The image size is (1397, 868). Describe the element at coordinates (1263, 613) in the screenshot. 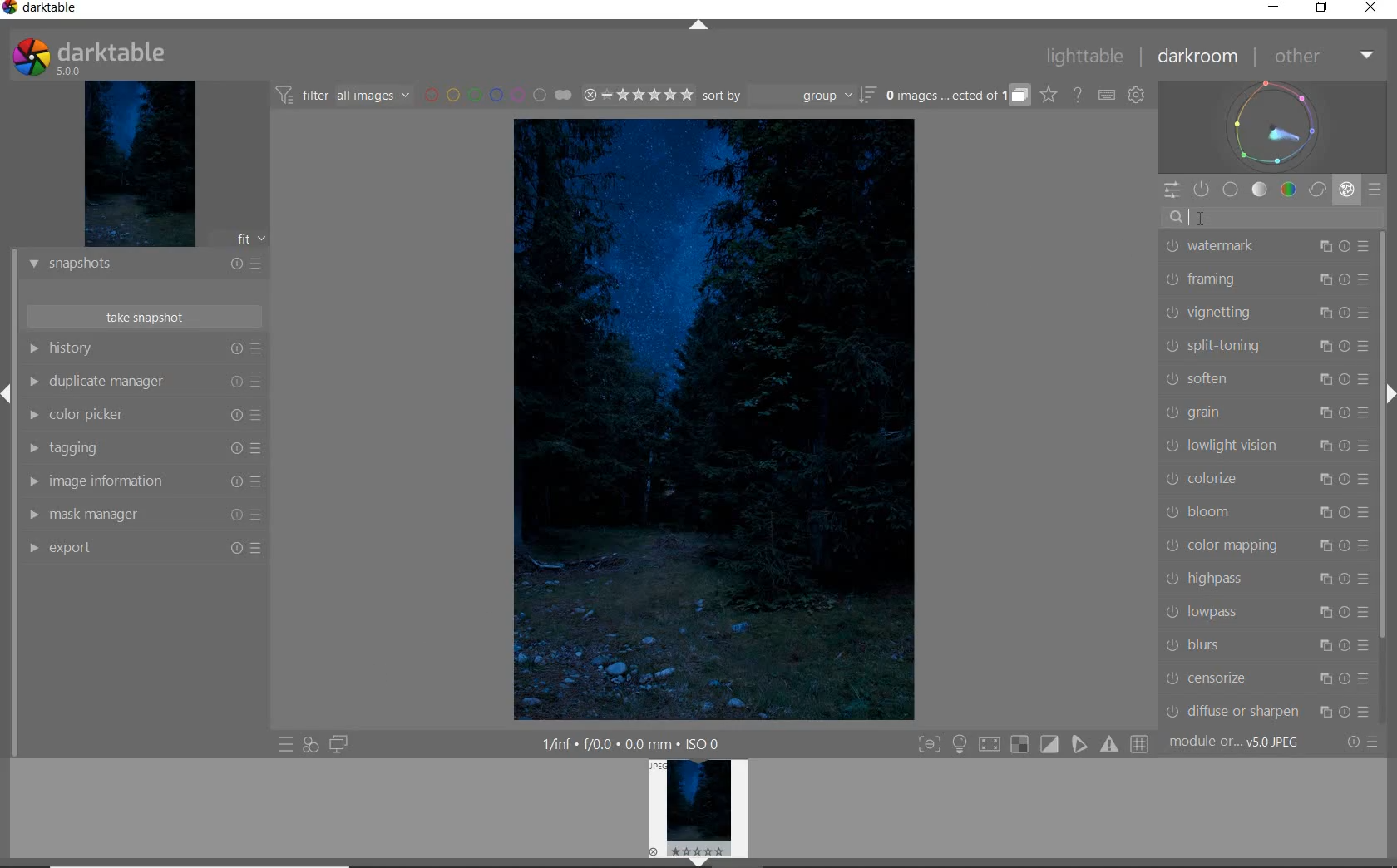

I see `LOWPASS` at that location.